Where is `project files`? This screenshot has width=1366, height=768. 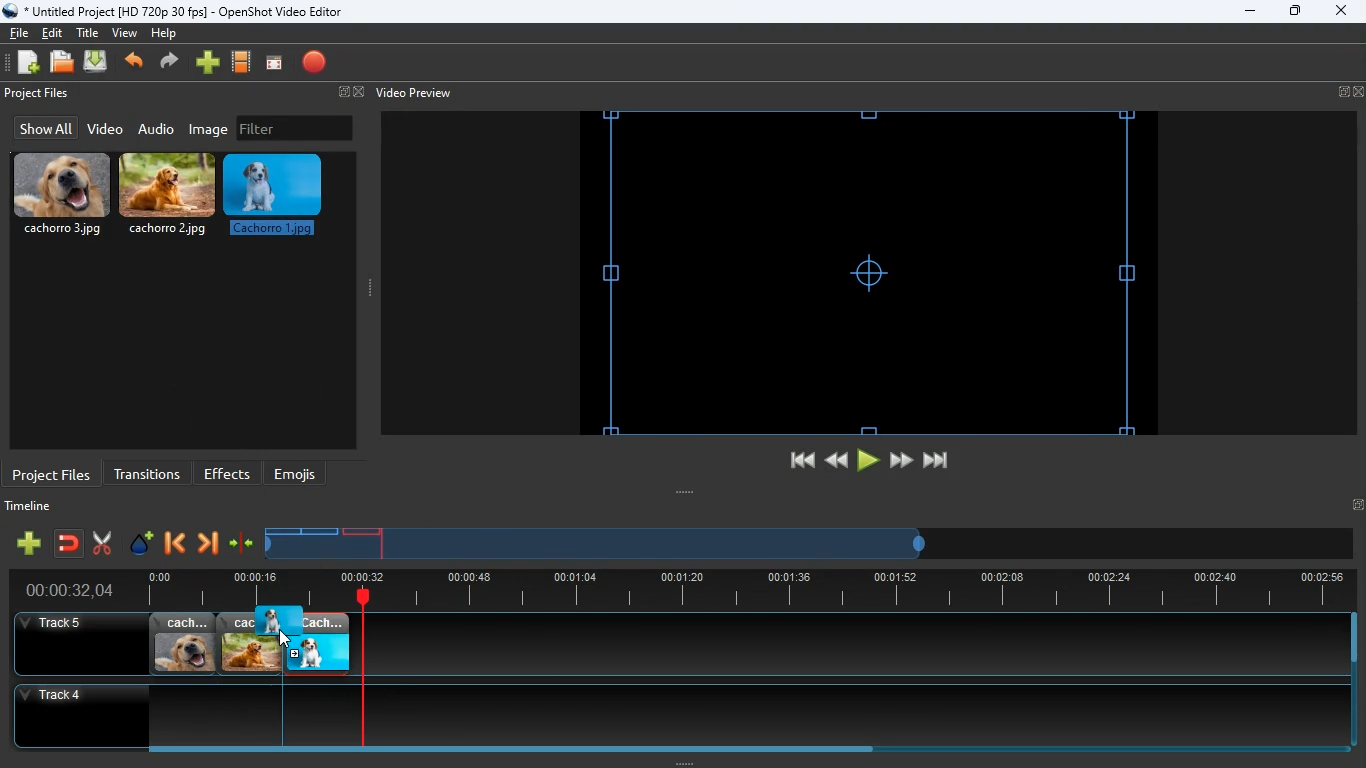
project files is located at coordinates (39, 94).